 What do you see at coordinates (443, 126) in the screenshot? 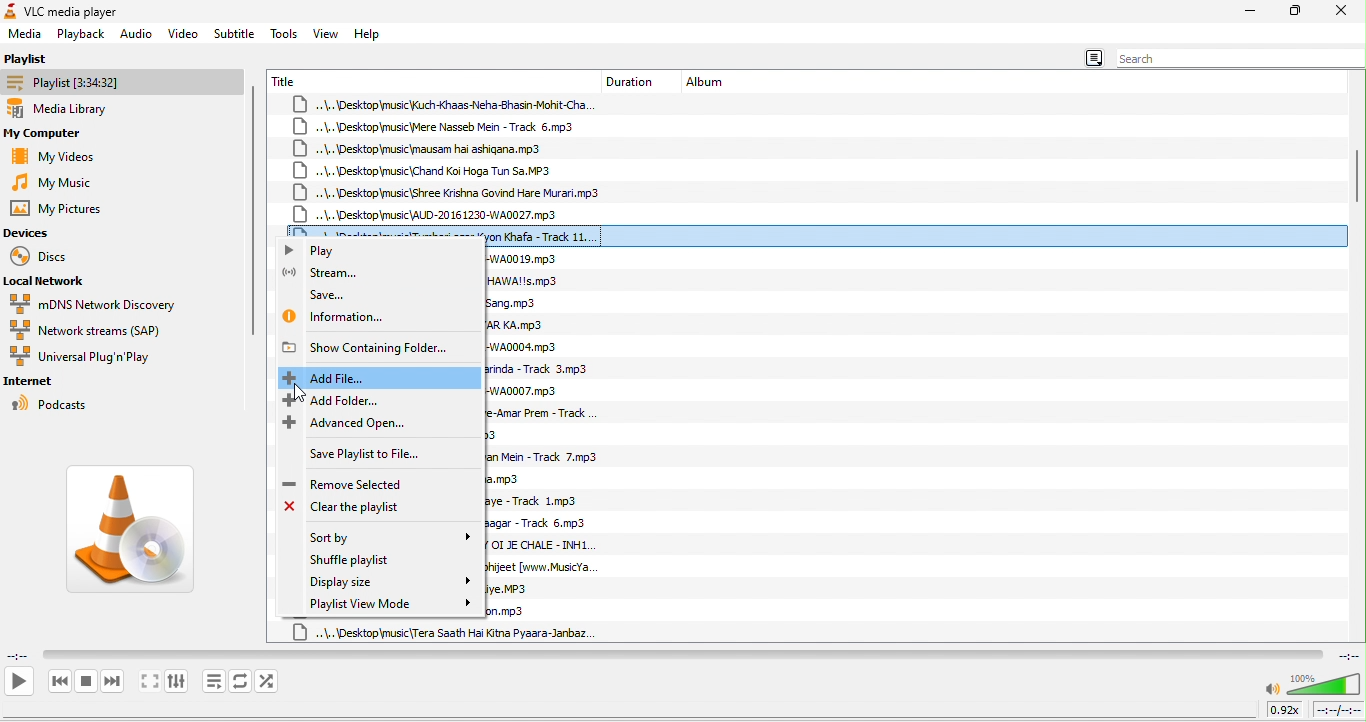
I see `+.\..\Desktop\music\Mere Nasseb Mein - Track 6.mp3` at bounding box center [443, 126].